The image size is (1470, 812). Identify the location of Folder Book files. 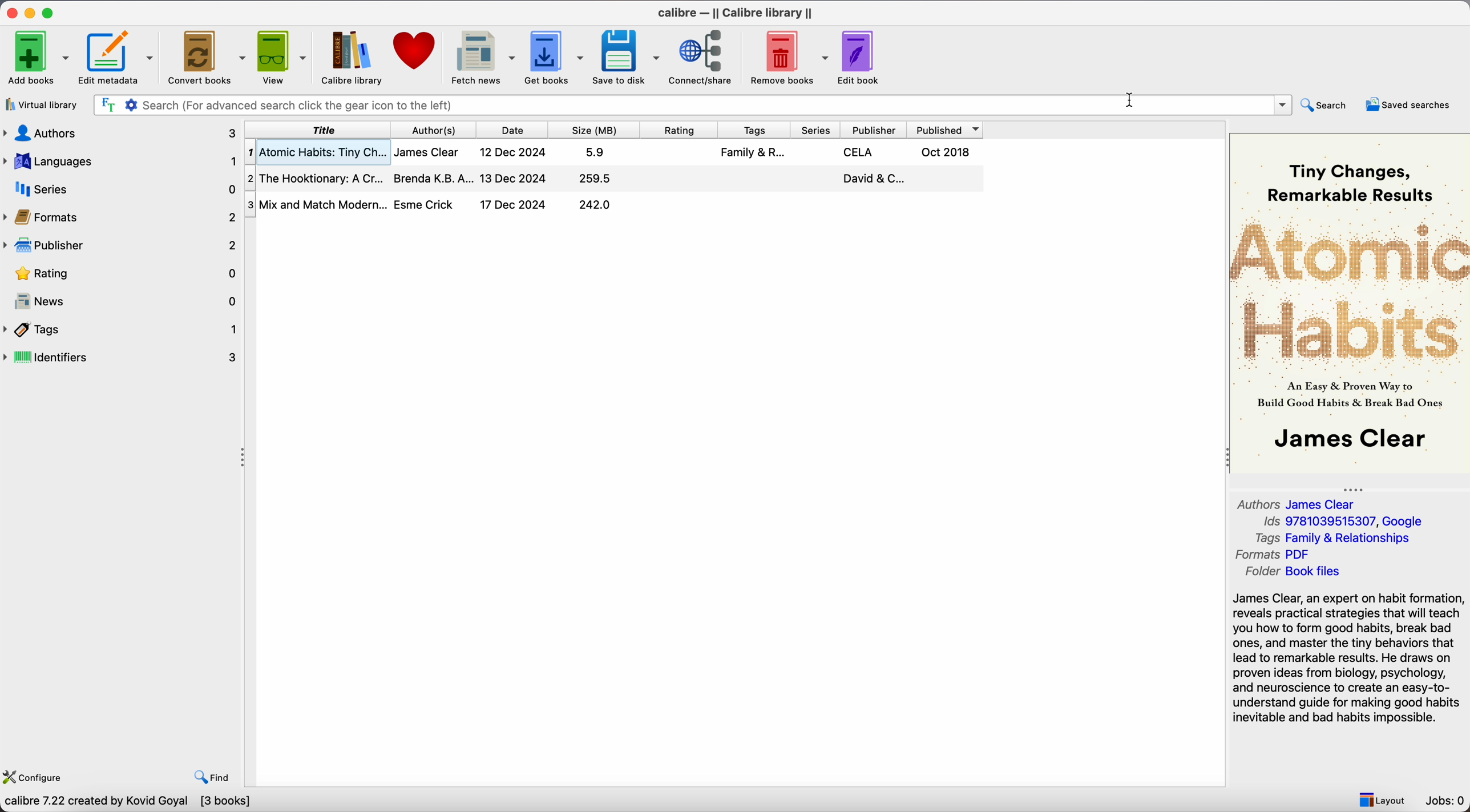
(1289, 573).